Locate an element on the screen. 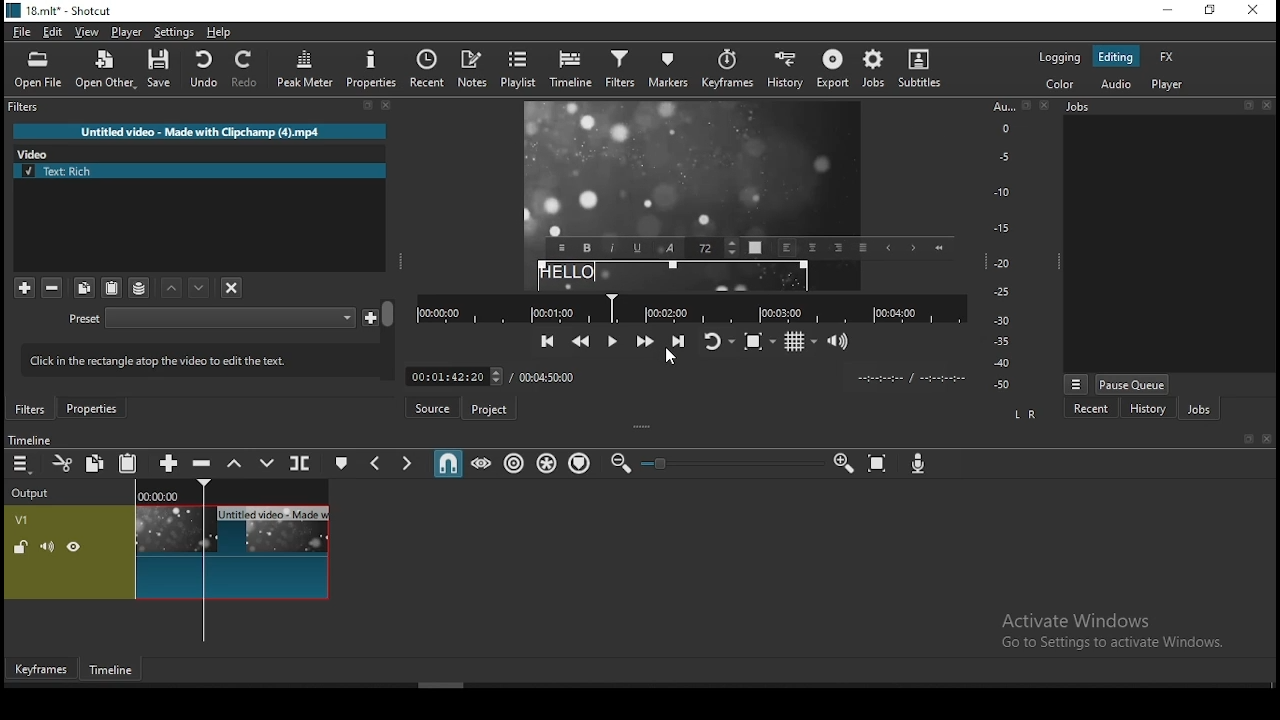 This screenshot has height=720, width=1280. keyframes is located at coordinates (724, 73).